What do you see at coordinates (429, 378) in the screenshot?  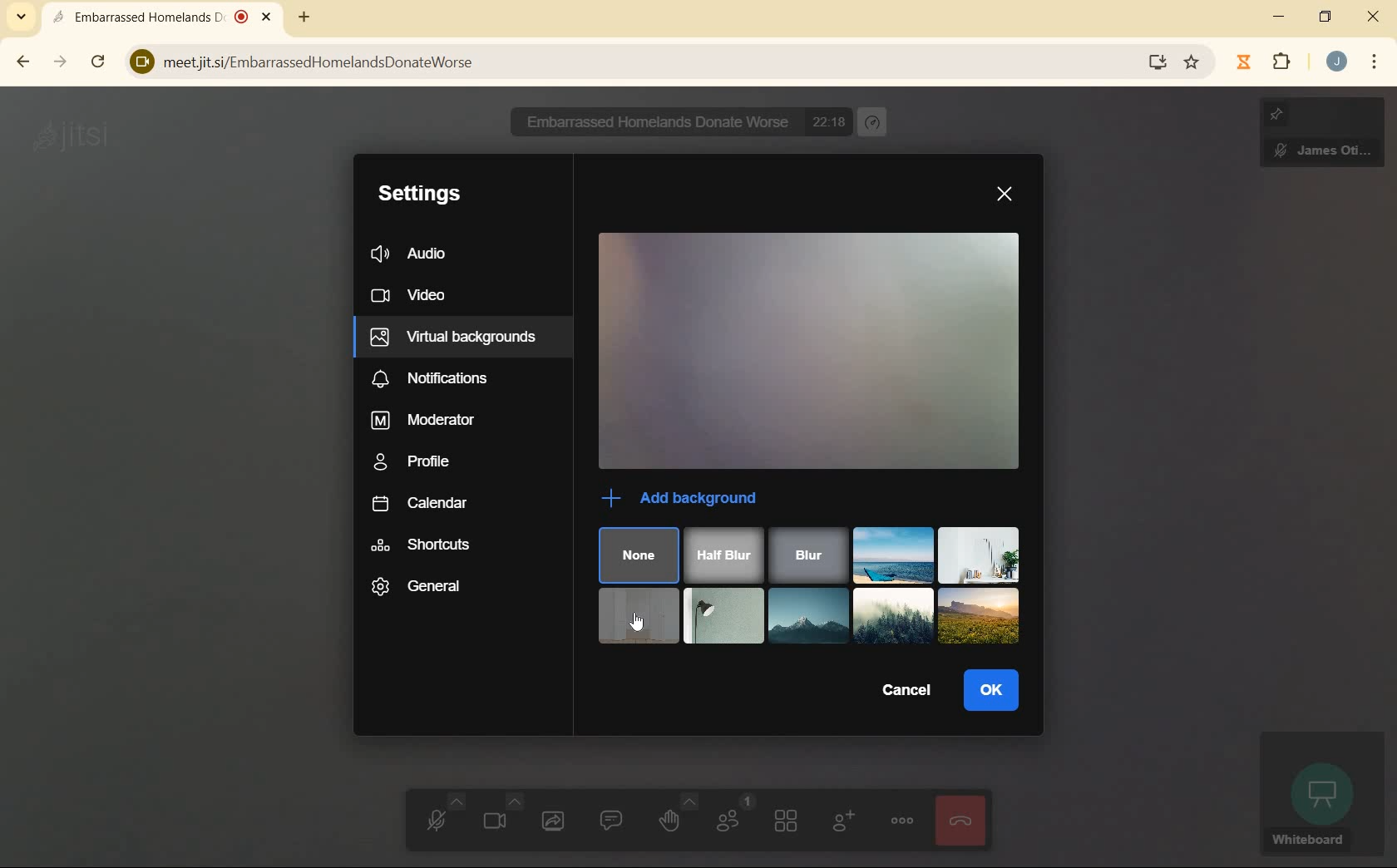 I see `notifications` at bounding box center [429, 378].